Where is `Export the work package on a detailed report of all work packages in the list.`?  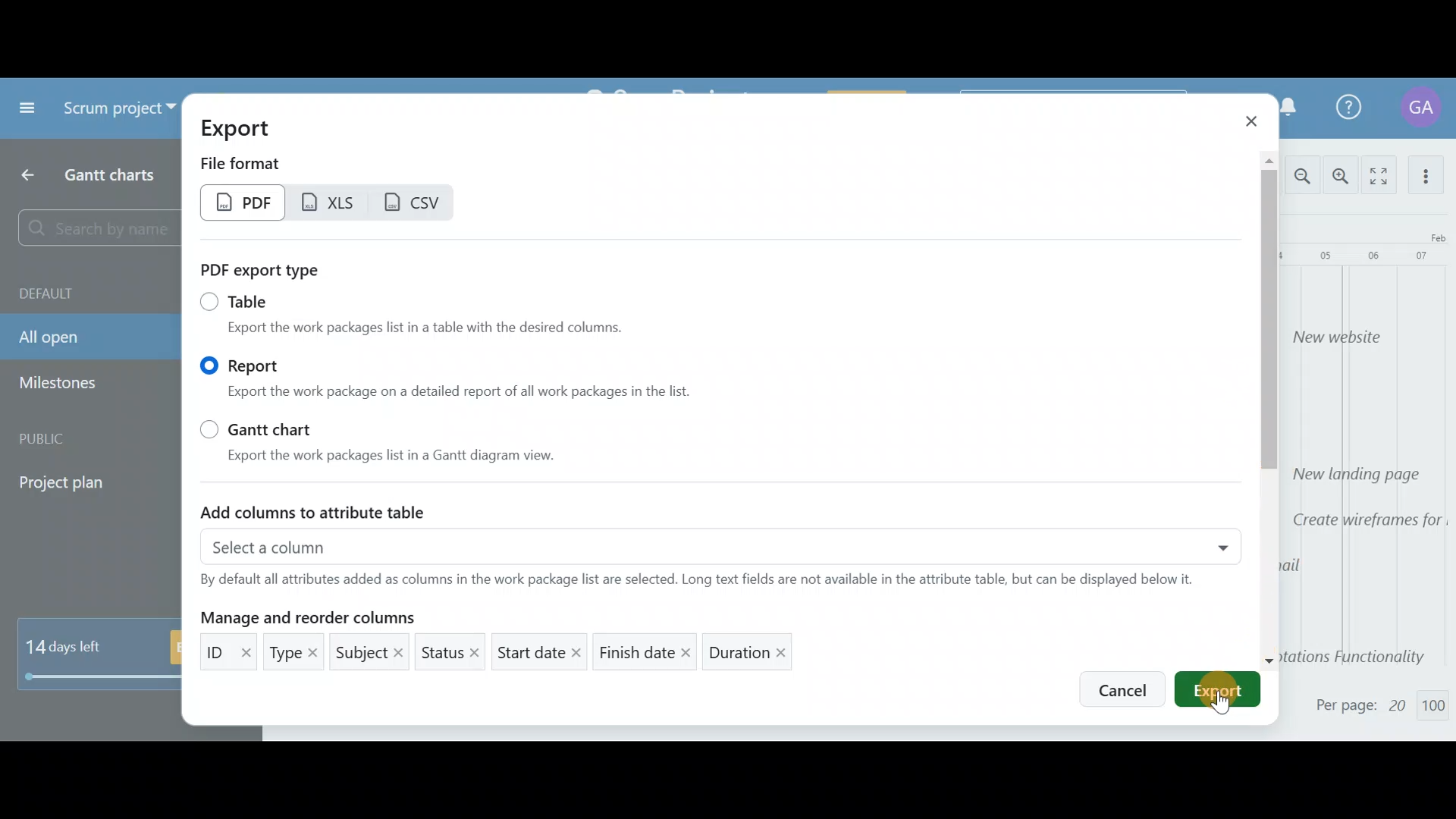
Export the work package on a detailed report of all work packages in the list. is located at coordinates (466, 397).